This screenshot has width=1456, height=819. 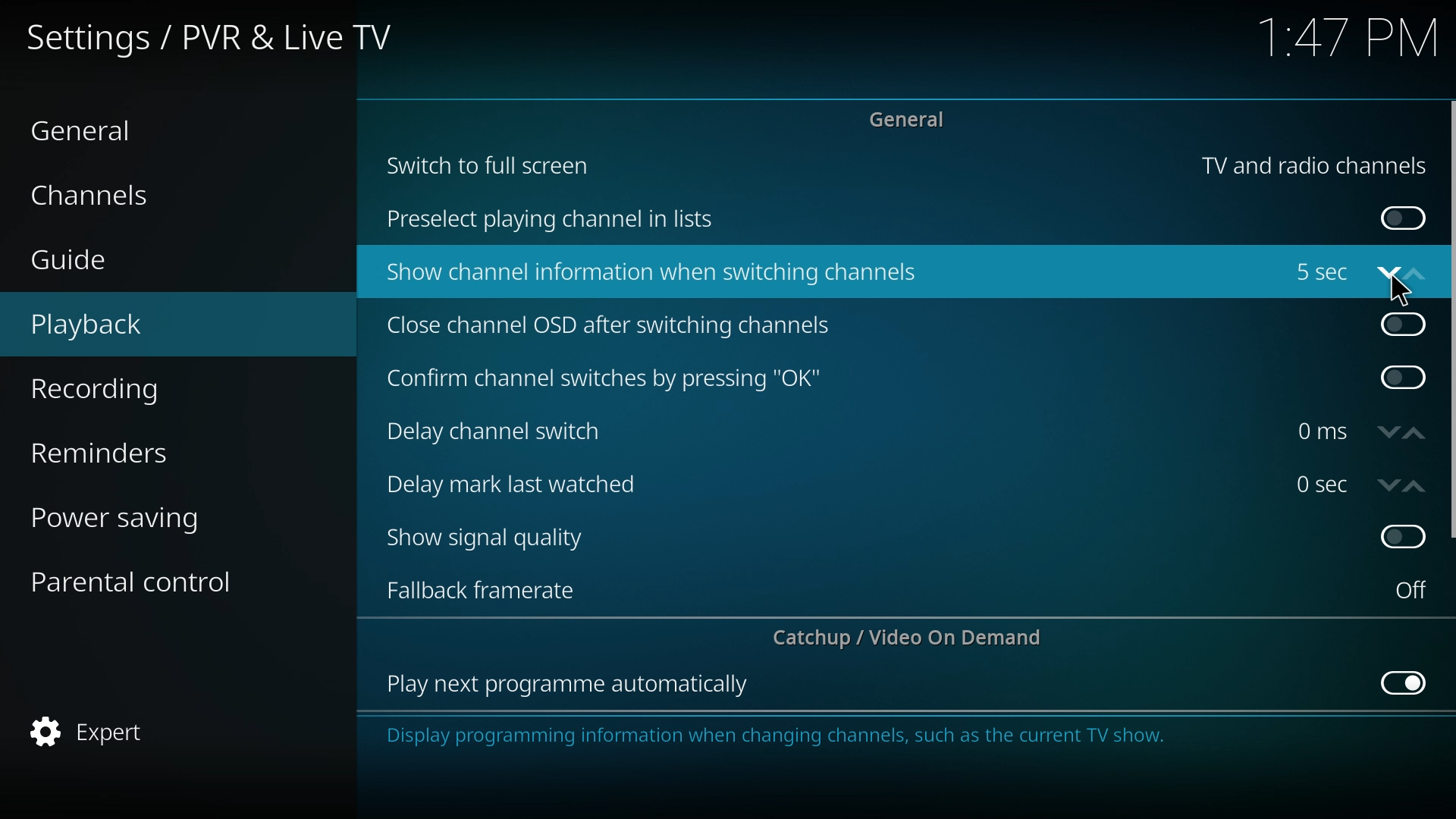 What do you see at coordinates (1406, 681) in the screenshot?
I see `off` at bounding box center [1406, 681].